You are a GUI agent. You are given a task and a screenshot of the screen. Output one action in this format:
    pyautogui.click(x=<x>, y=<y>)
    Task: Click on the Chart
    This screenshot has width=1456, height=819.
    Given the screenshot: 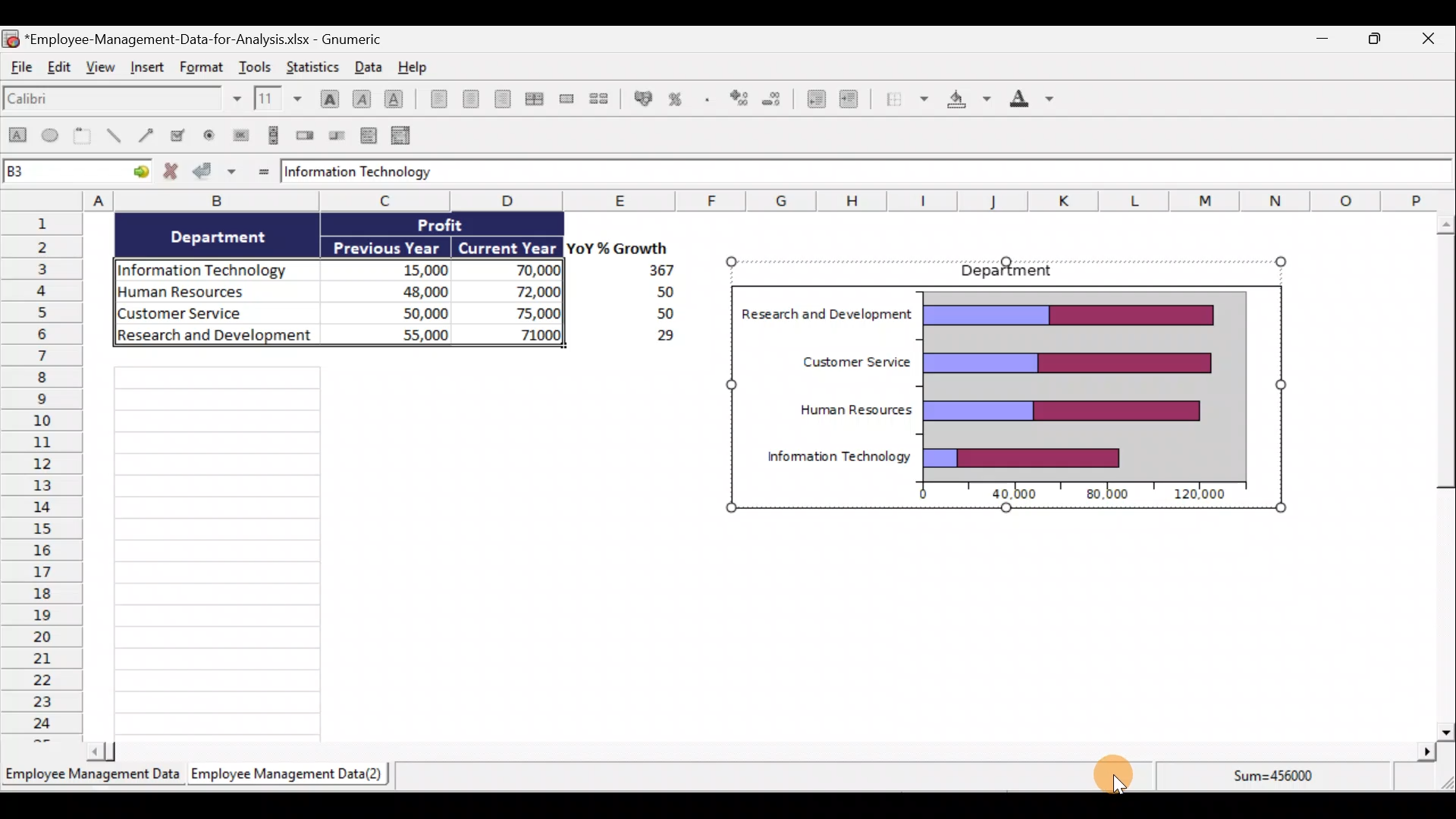 What is the action you would take?
    pyautogui.click(x=1003, y=398)
    